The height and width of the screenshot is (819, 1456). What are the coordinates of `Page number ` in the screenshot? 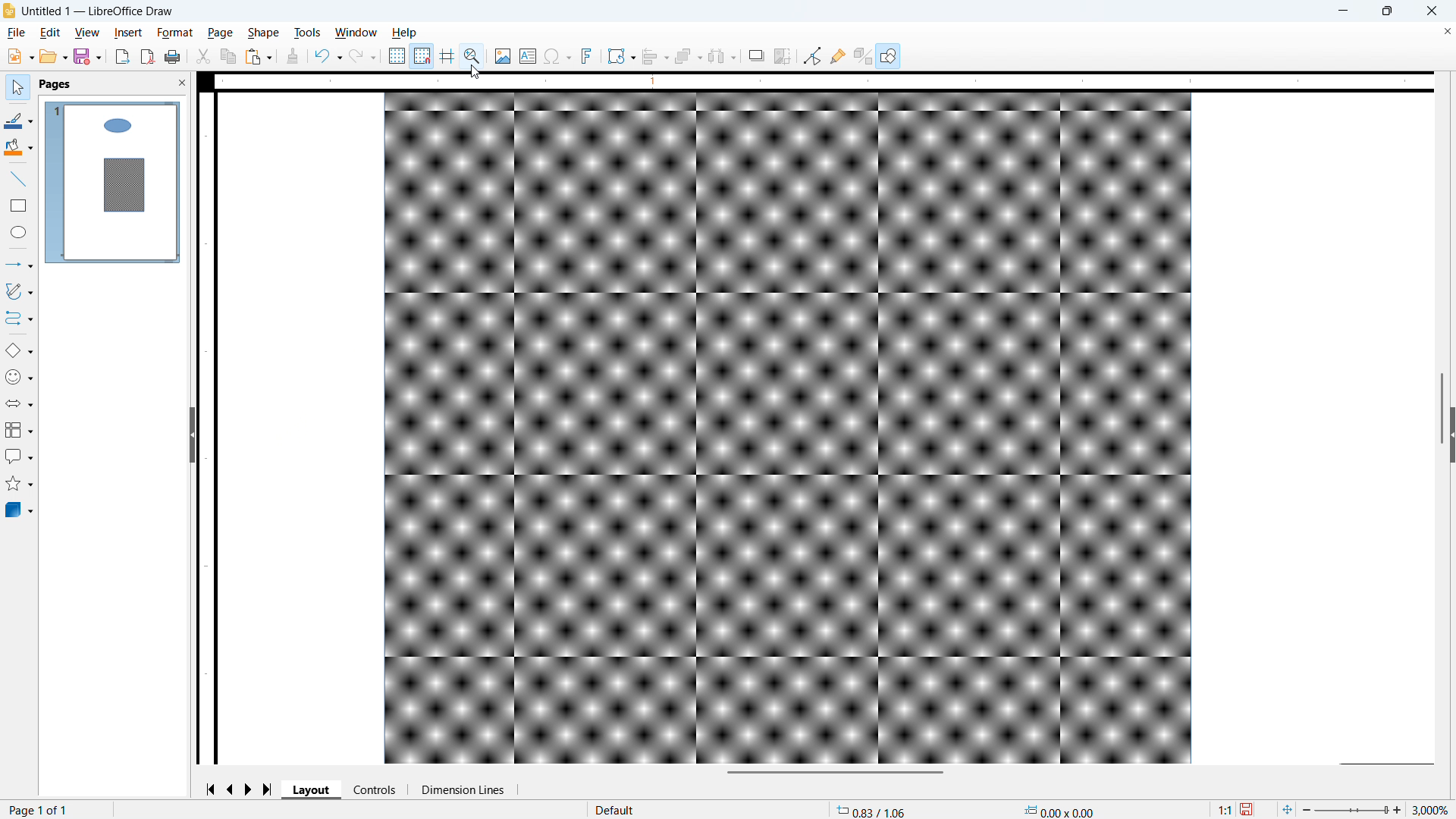 It's located at (40, 811).